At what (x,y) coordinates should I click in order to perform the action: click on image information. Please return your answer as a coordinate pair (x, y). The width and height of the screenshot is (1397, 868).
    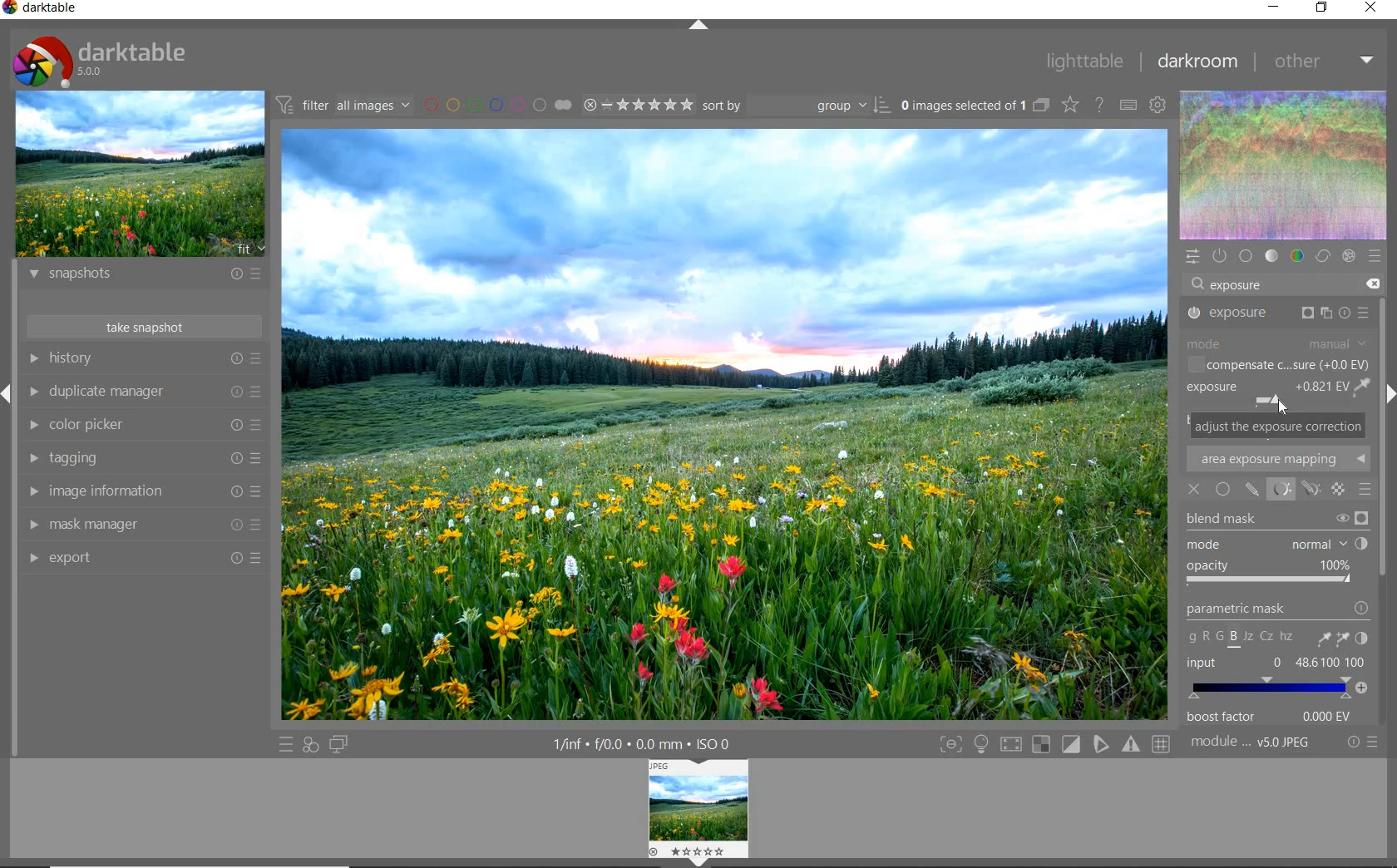
    Looking at the image, I should click on (143, 491).